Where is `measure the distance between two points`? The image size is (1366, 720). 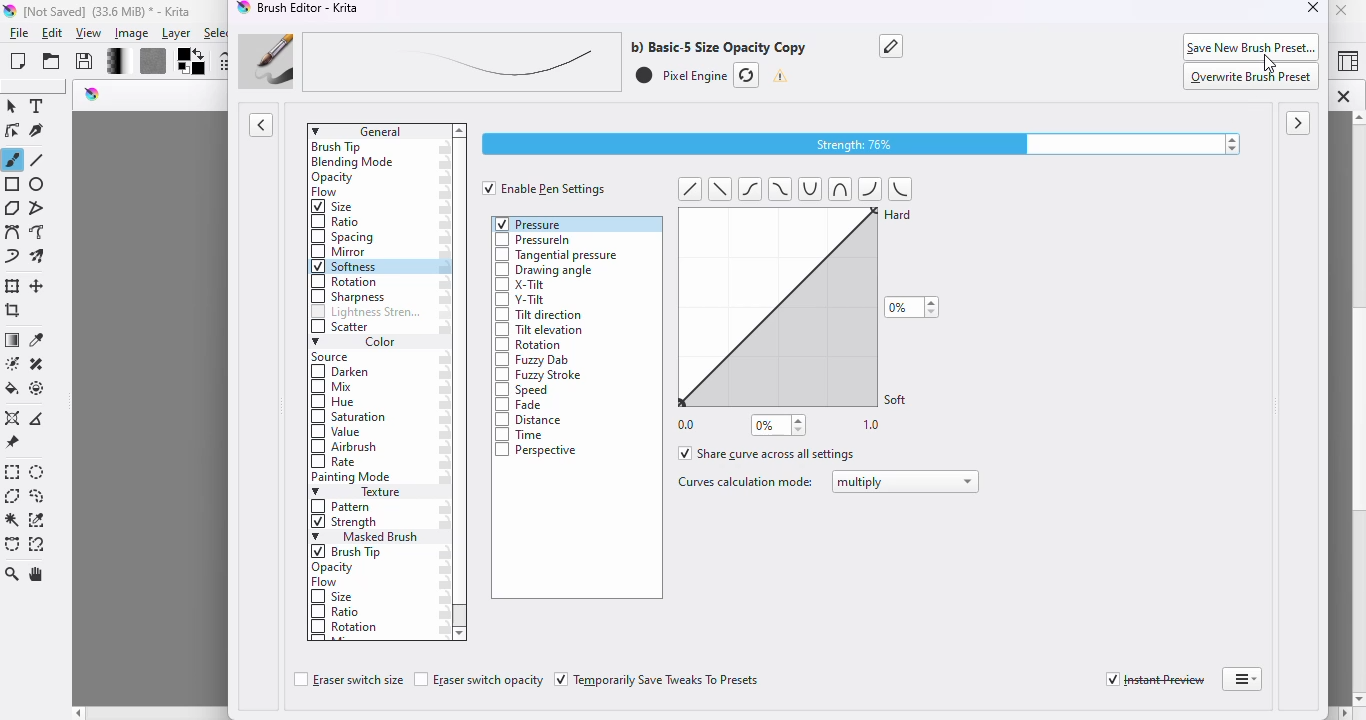 measure the distance between two points is located at coordinates (40, 417).